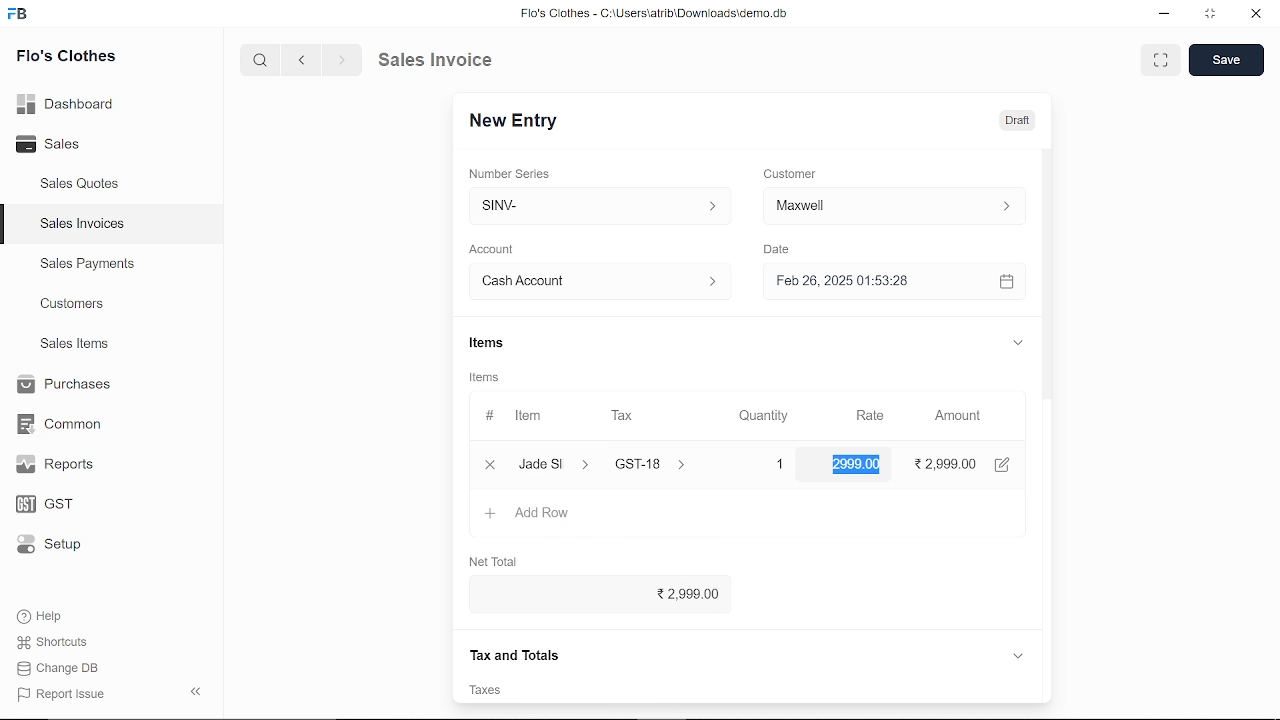 The image size is (1280, 720). Describe the element at coordinates (882, 470) in the screenshot. I see `cursor` at that location.